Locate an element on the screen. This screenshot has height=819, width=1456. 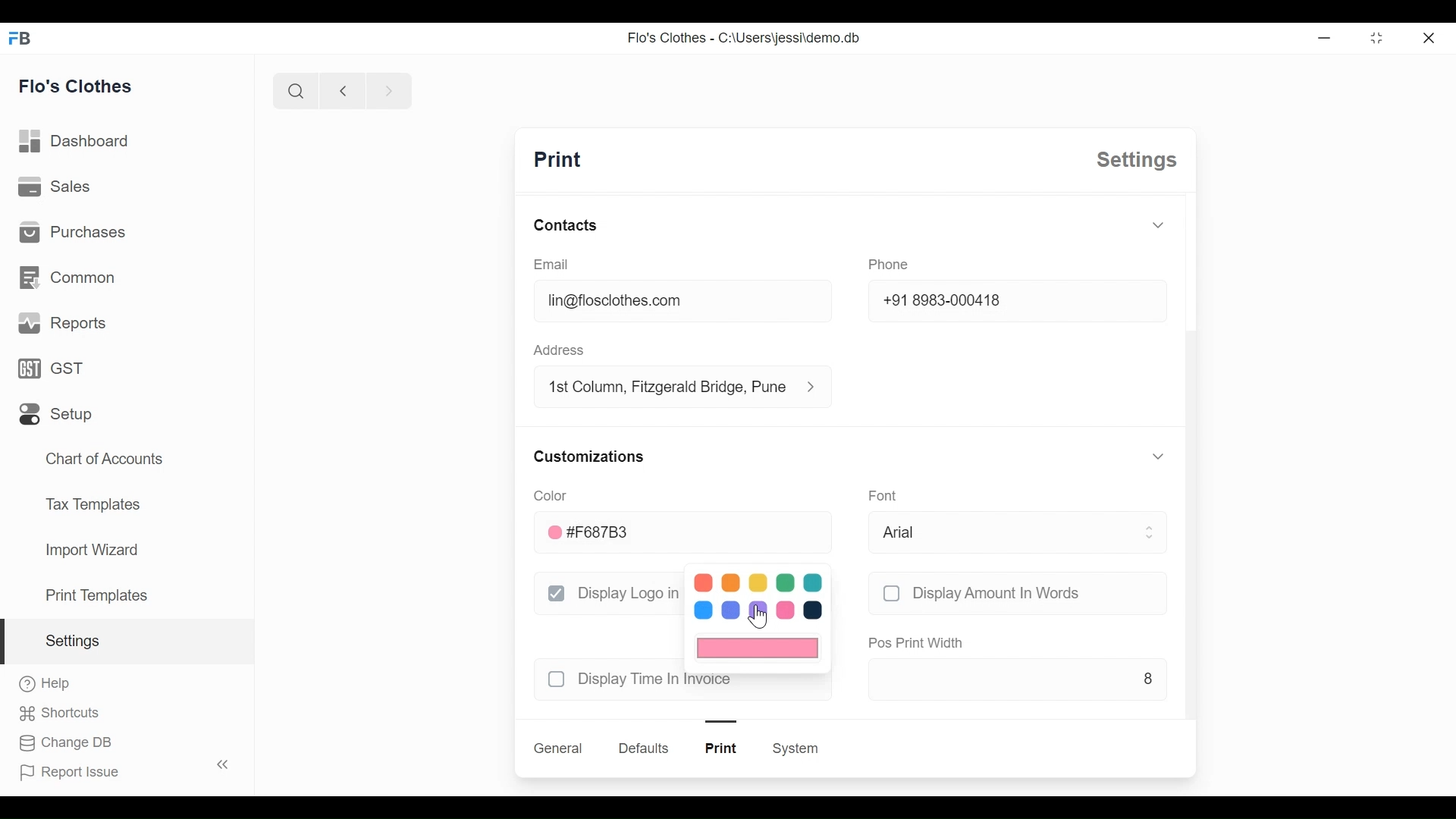
change DB is located at coordinates (64, 743).